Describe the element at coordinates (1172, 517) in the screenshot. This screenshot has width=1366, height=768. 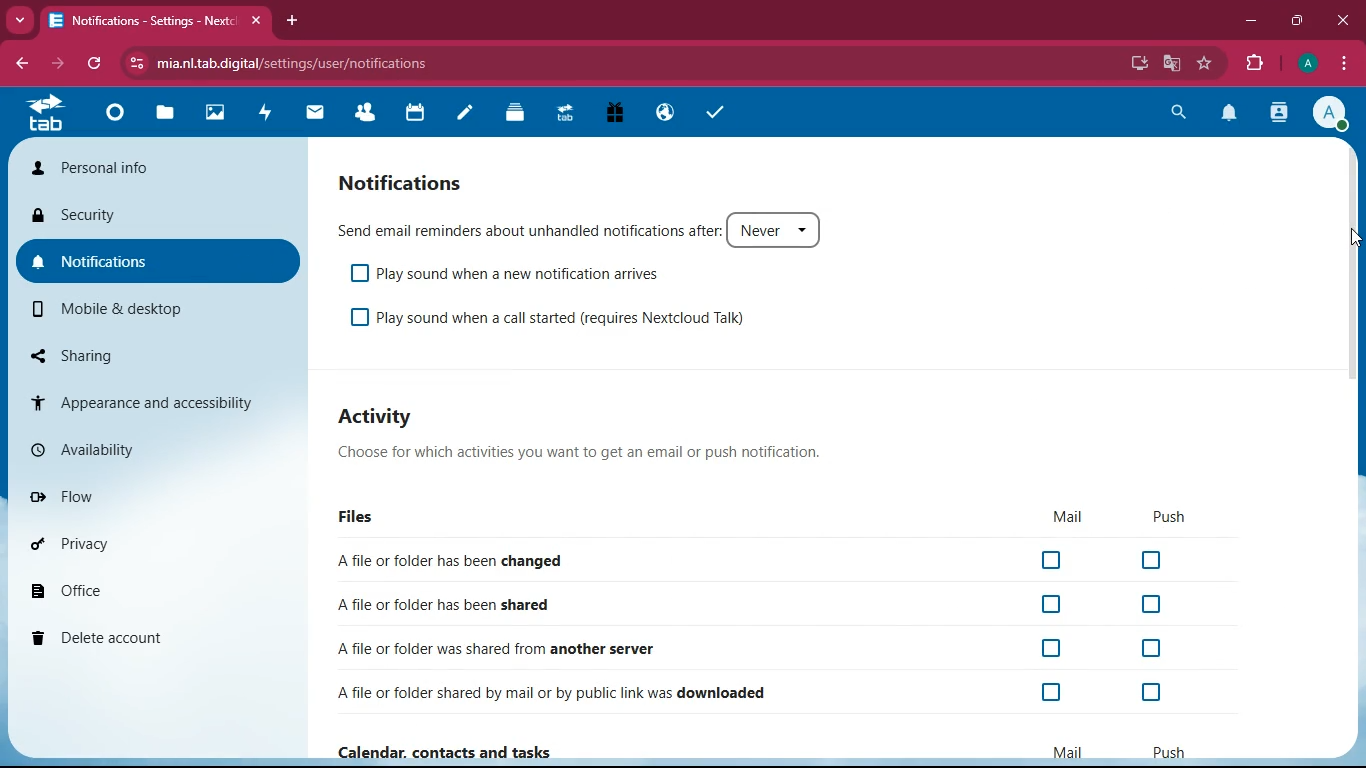
I see `push` at that location.